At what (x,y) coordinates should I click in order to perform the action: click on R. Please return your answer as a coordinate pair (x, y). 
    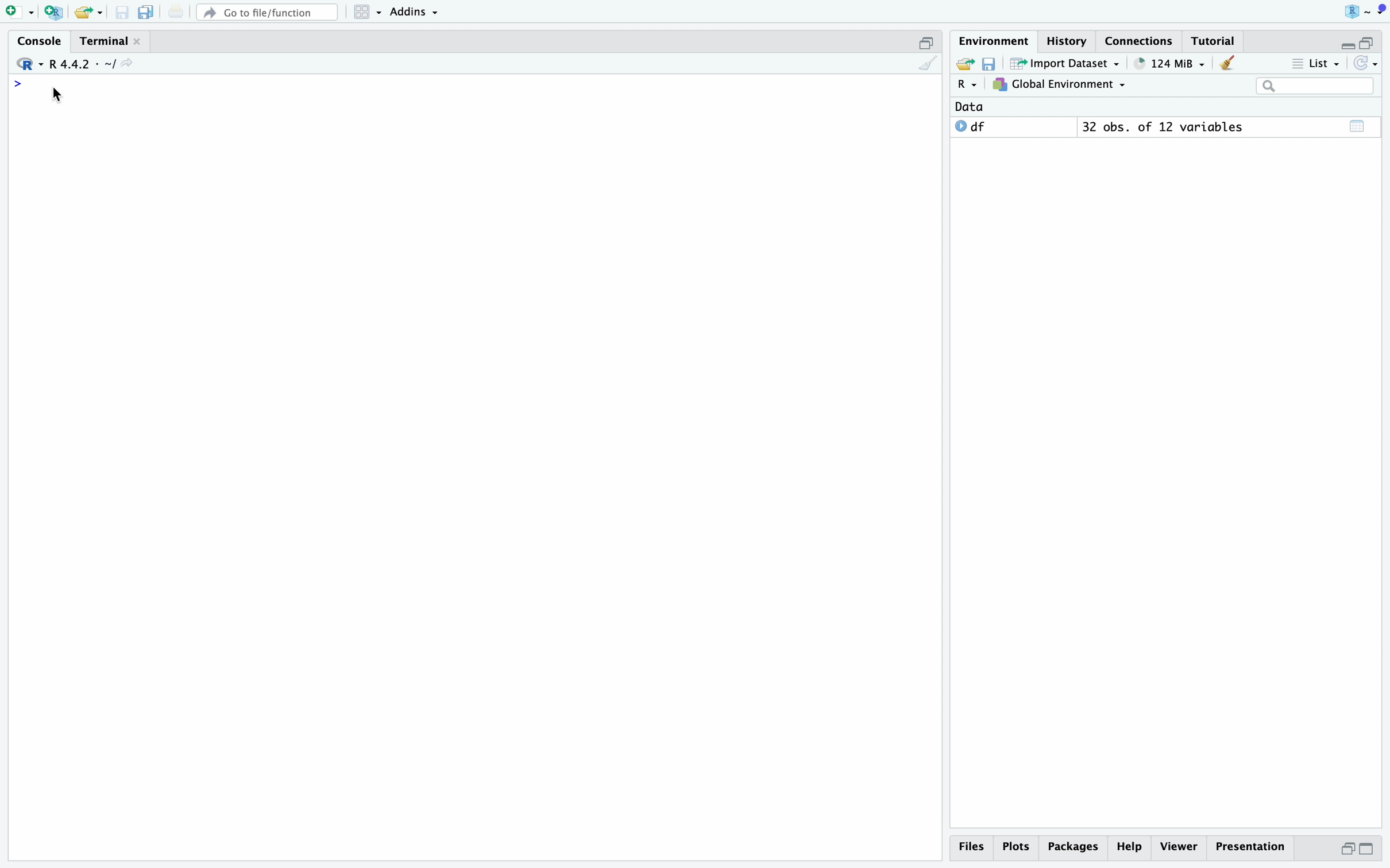
    Looking at the image, I should click on (30, 64).